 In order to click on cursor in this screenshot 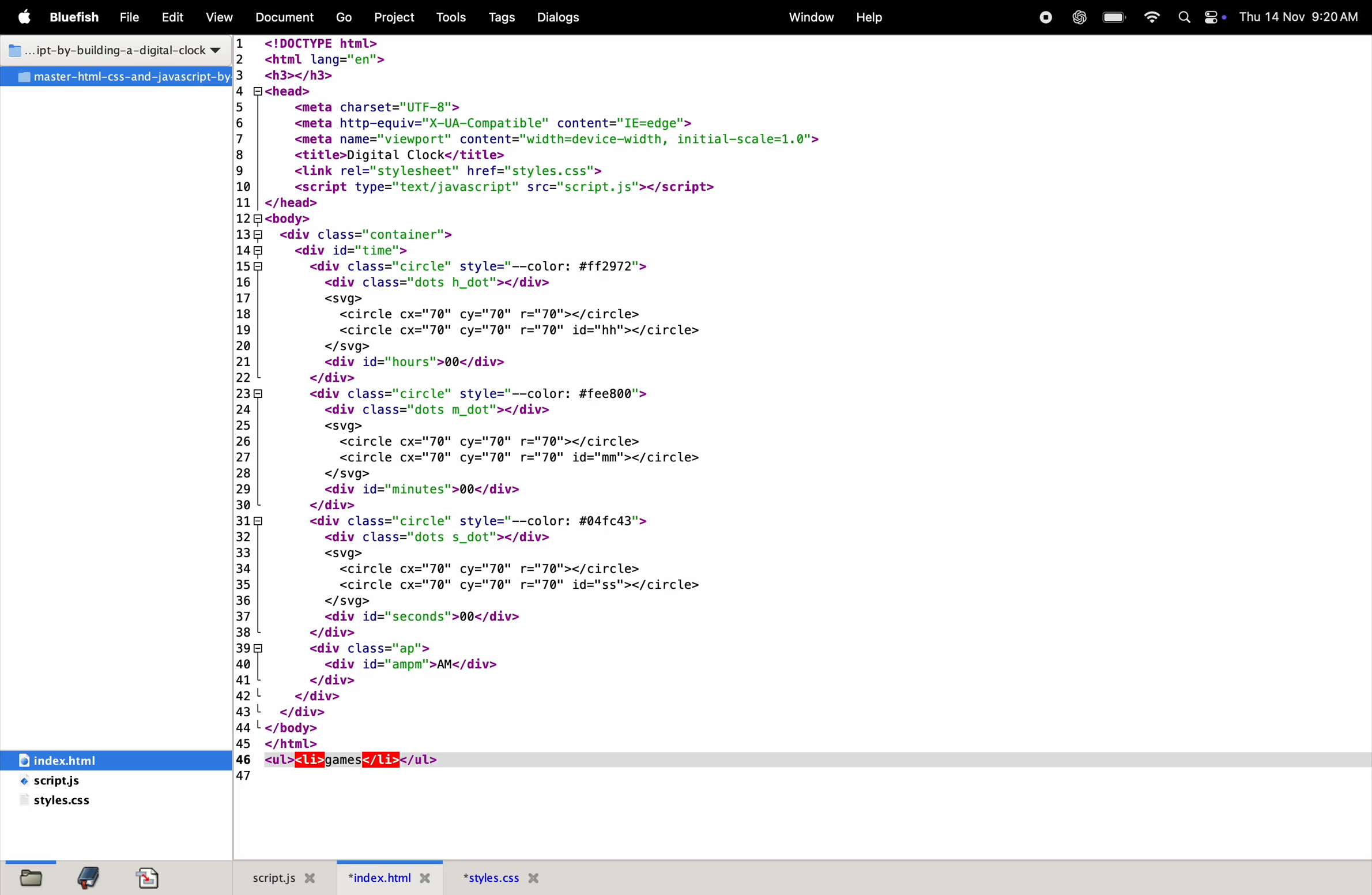, I will do `click(393, 759)`.